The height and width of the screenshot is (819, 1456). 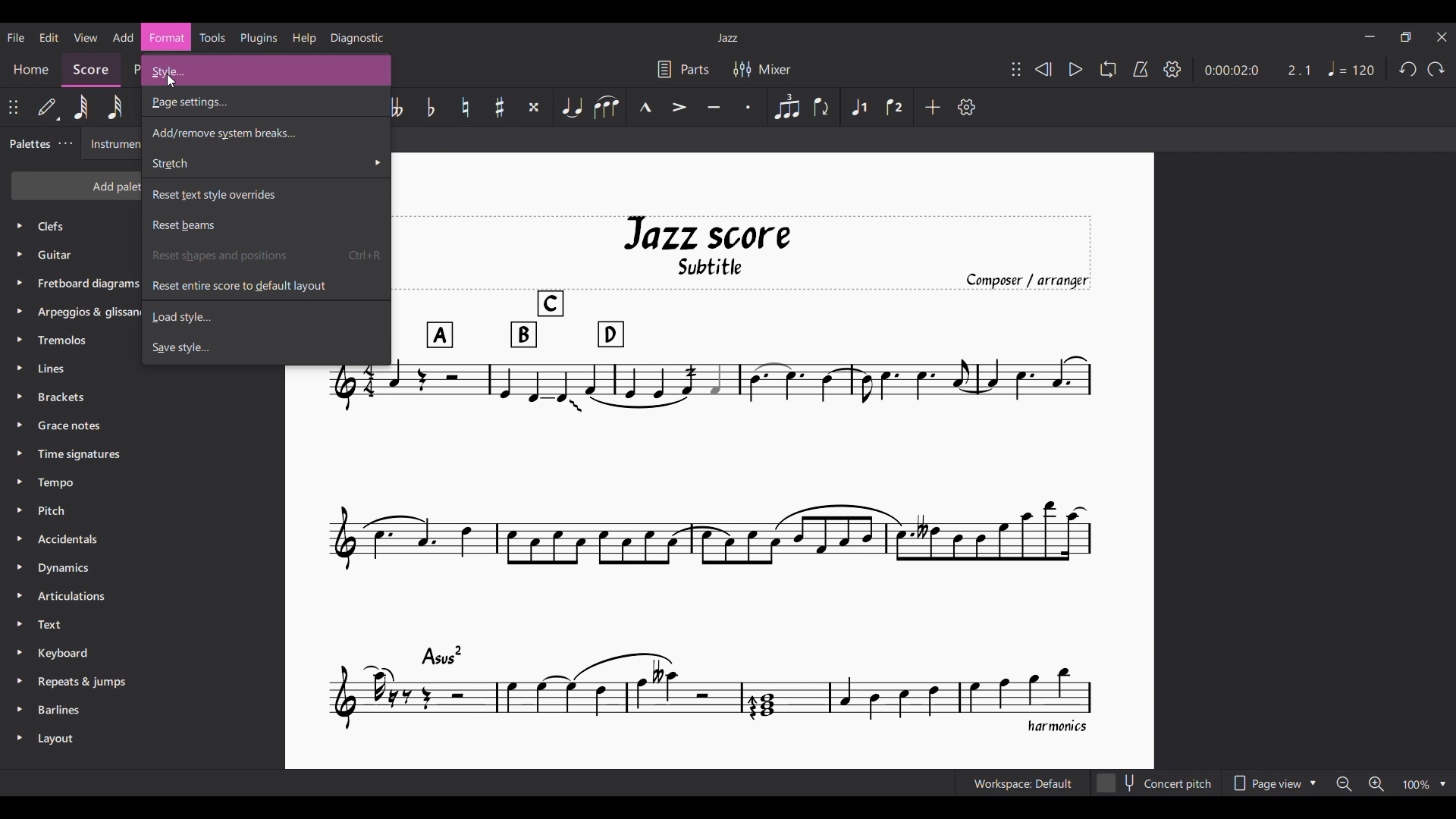 What do you see at coordinates (115, 107) in the screenshot?
I see `32nd note` at bounding box center [115, 107].